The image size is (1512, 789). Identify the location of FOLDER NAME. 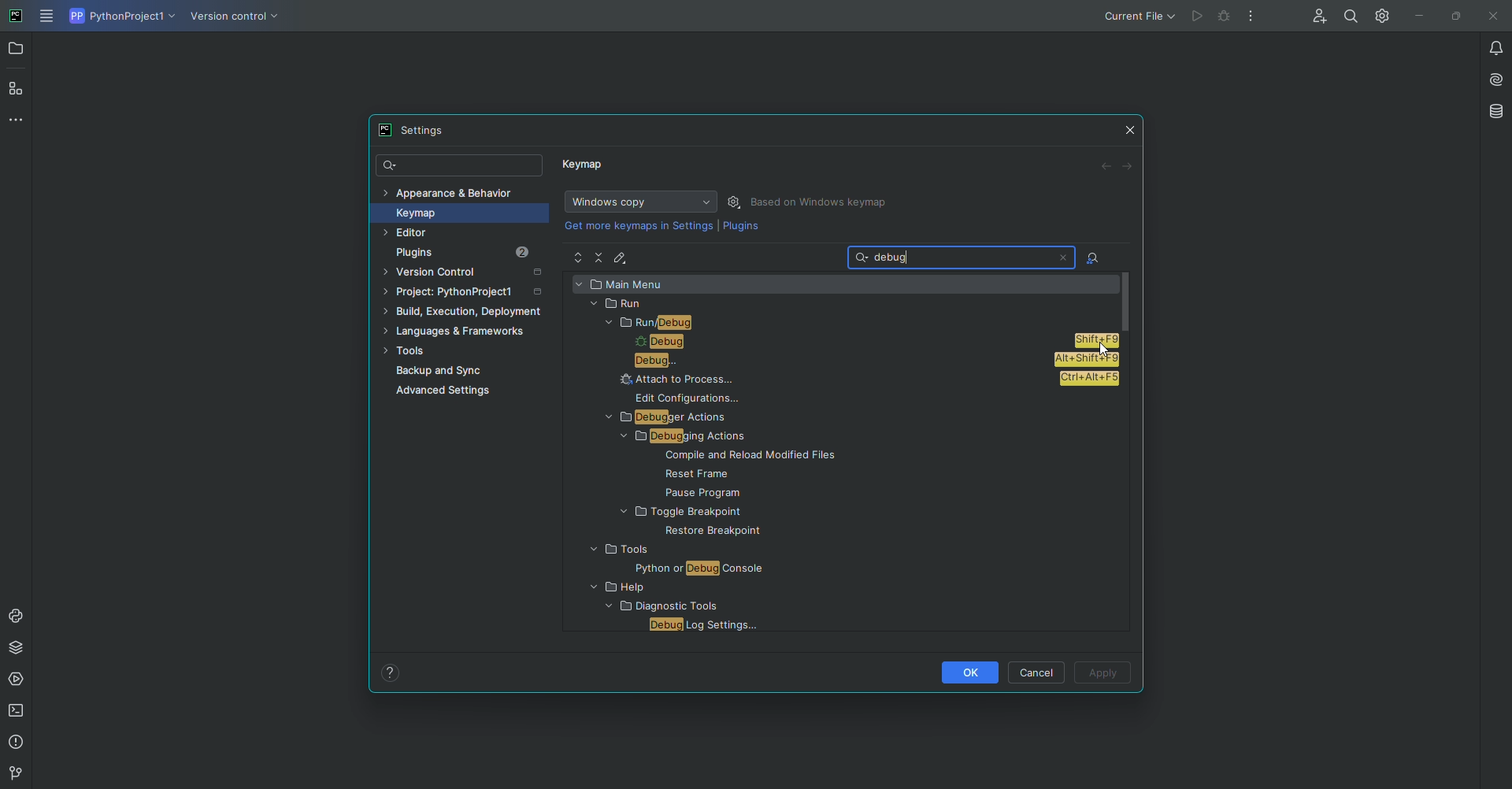
(658, 550).